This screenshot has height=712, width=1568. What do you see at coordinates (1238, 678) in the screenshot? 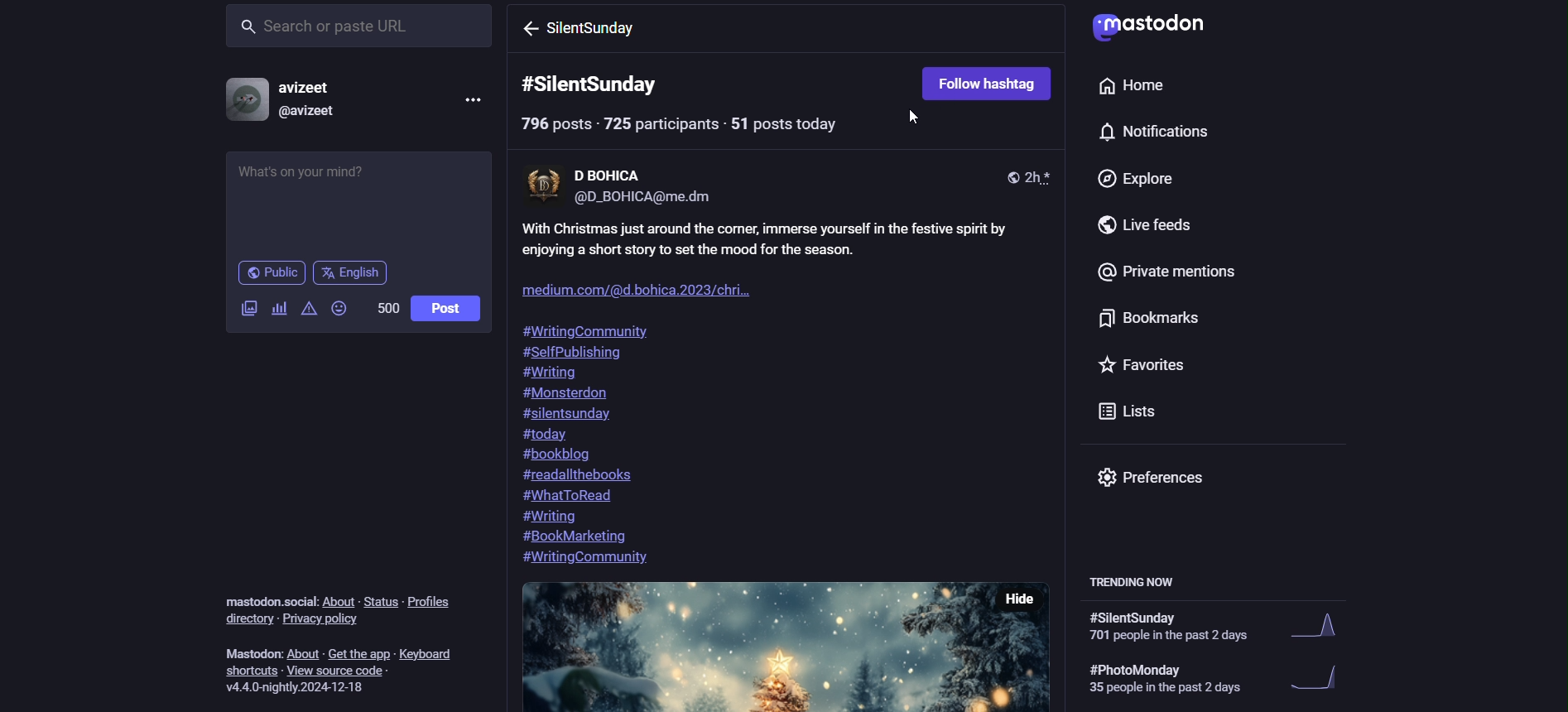
I see `35 people in the past 2 days` at bounding box center [1238, 678].